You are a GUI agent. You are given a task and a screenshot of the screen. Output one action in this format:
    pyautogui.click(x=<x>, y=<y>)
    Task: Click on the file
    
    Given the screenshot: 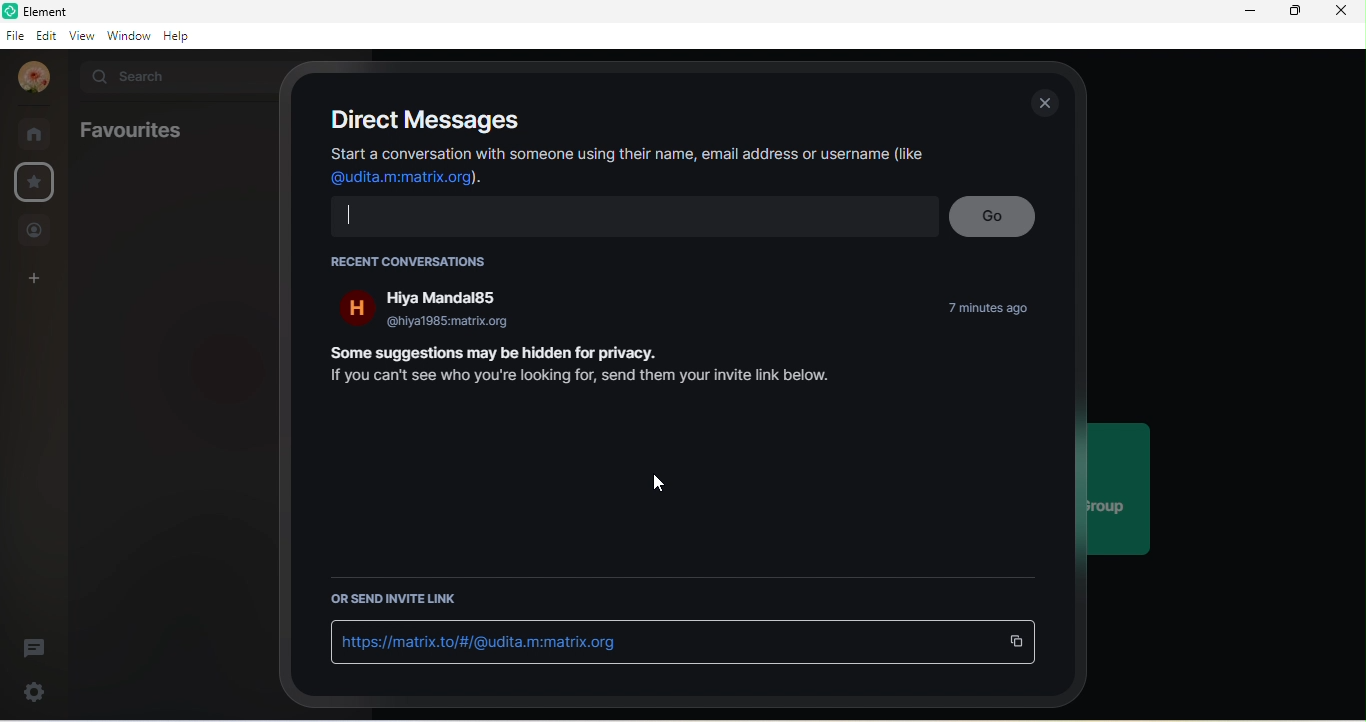 What is the action you would take?
    pyautogui.click(x=15, y=34)
    